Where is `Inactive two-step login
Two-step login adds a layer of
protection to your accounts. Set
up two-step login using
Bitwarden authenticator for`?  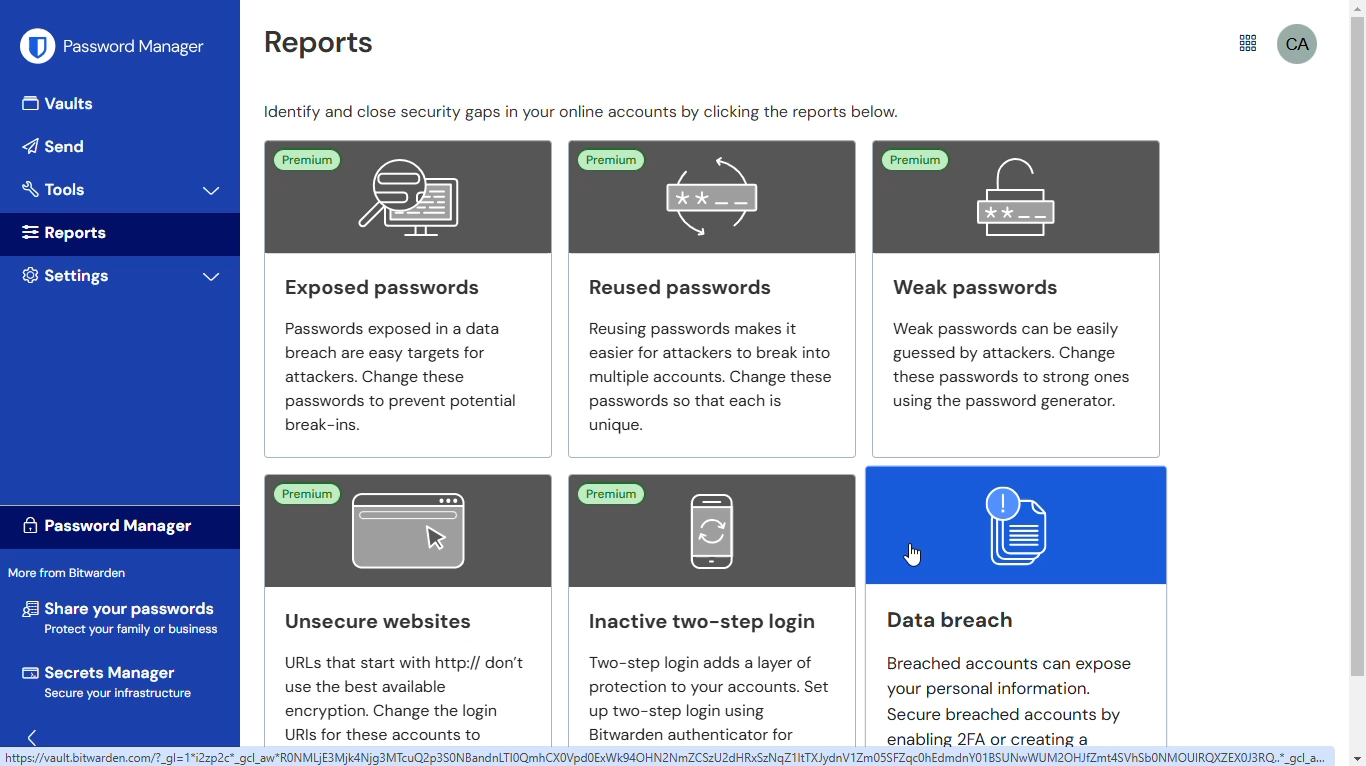
Inactive two-step login
Two-step login adds a layer of
protection to your accounts. Set
up two-step login using
Bitwarden authenticator for is located at coordinates (702, 672).